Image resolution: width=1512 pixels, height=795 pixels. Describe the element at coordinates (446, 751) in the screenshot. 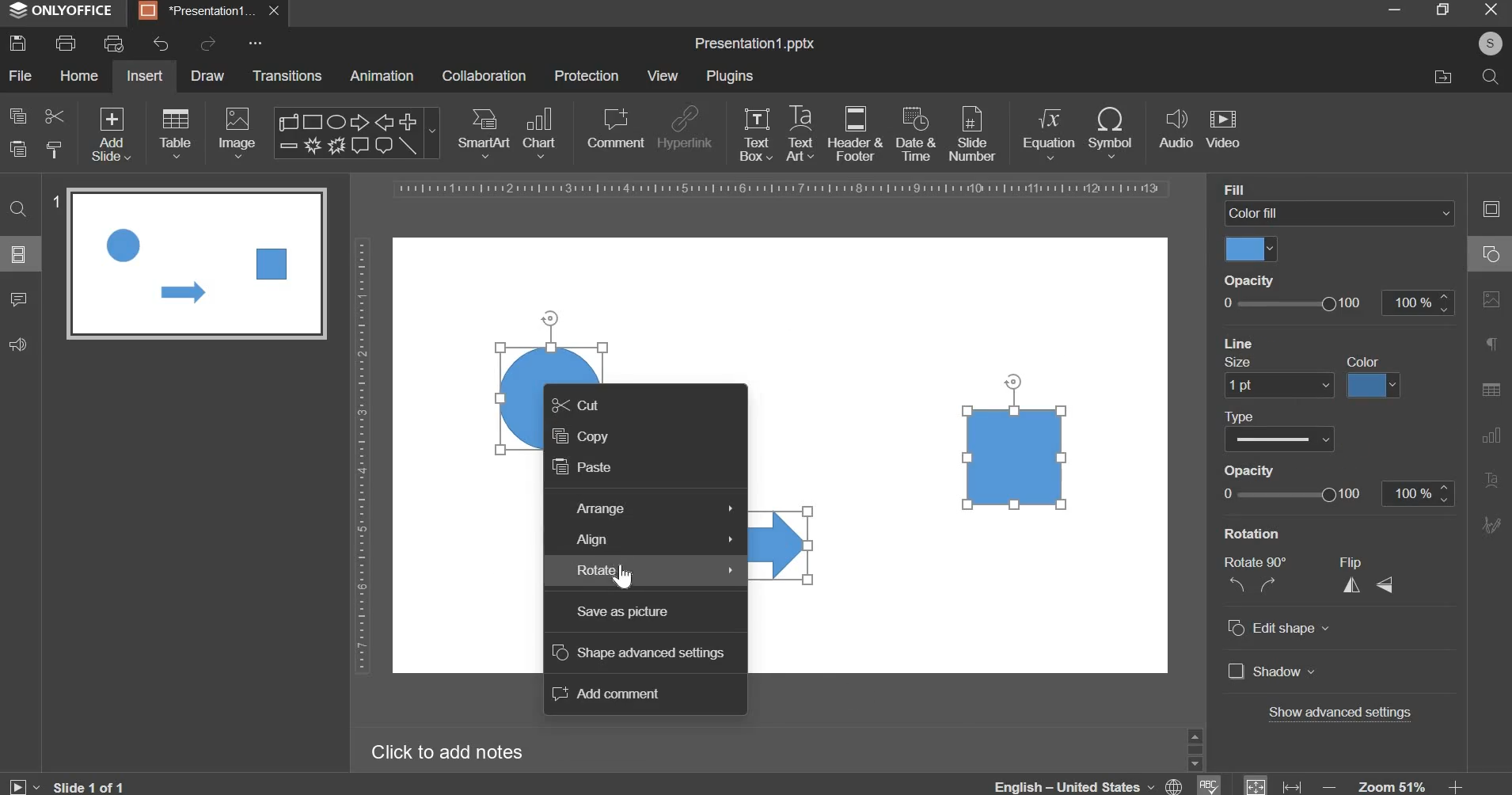

I see `Click to add notes` at that location.